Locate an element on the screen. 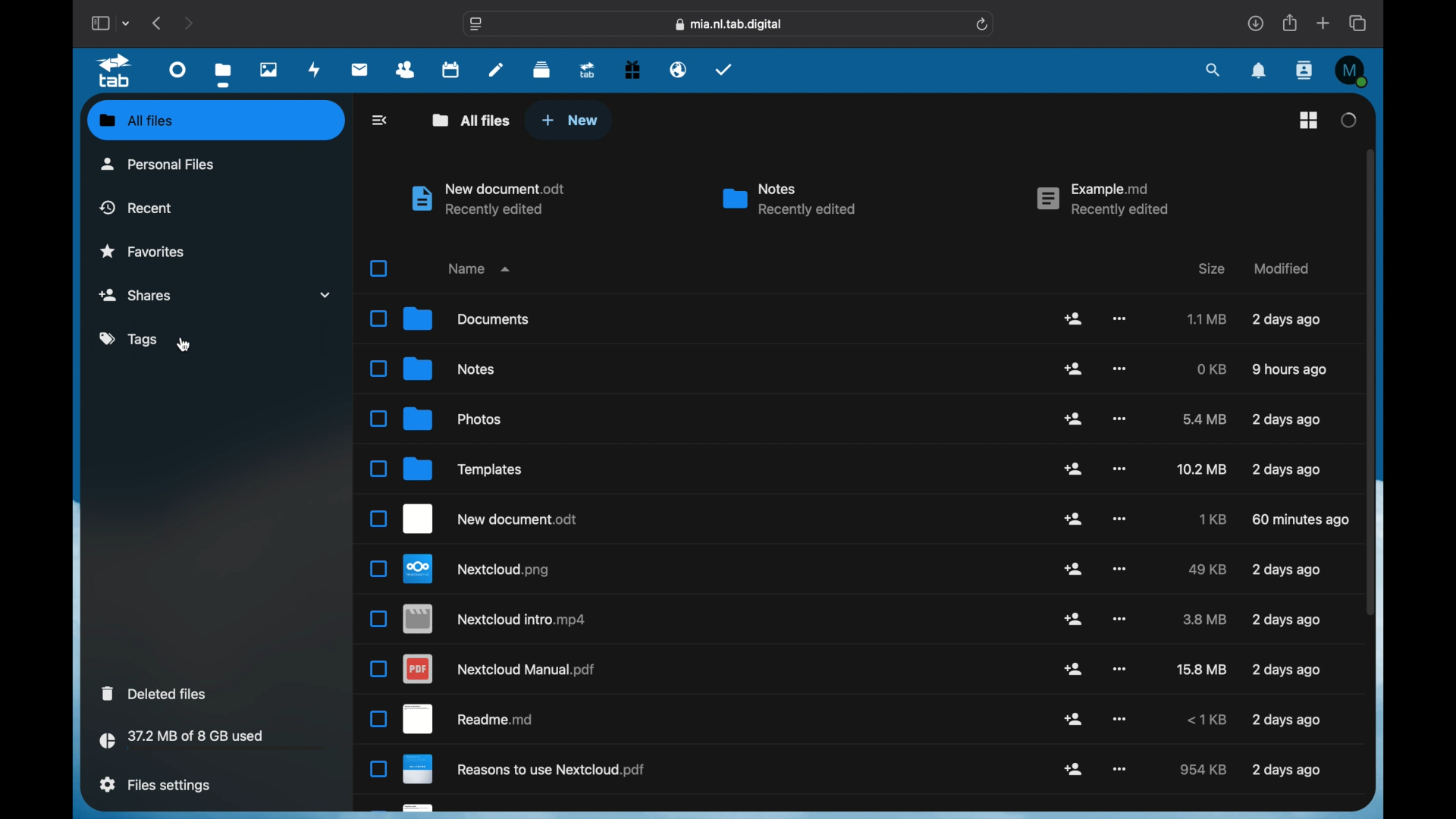 The width and height of the screenshot is (1456, 819). scroll box is located at coordinates (1370, 381).